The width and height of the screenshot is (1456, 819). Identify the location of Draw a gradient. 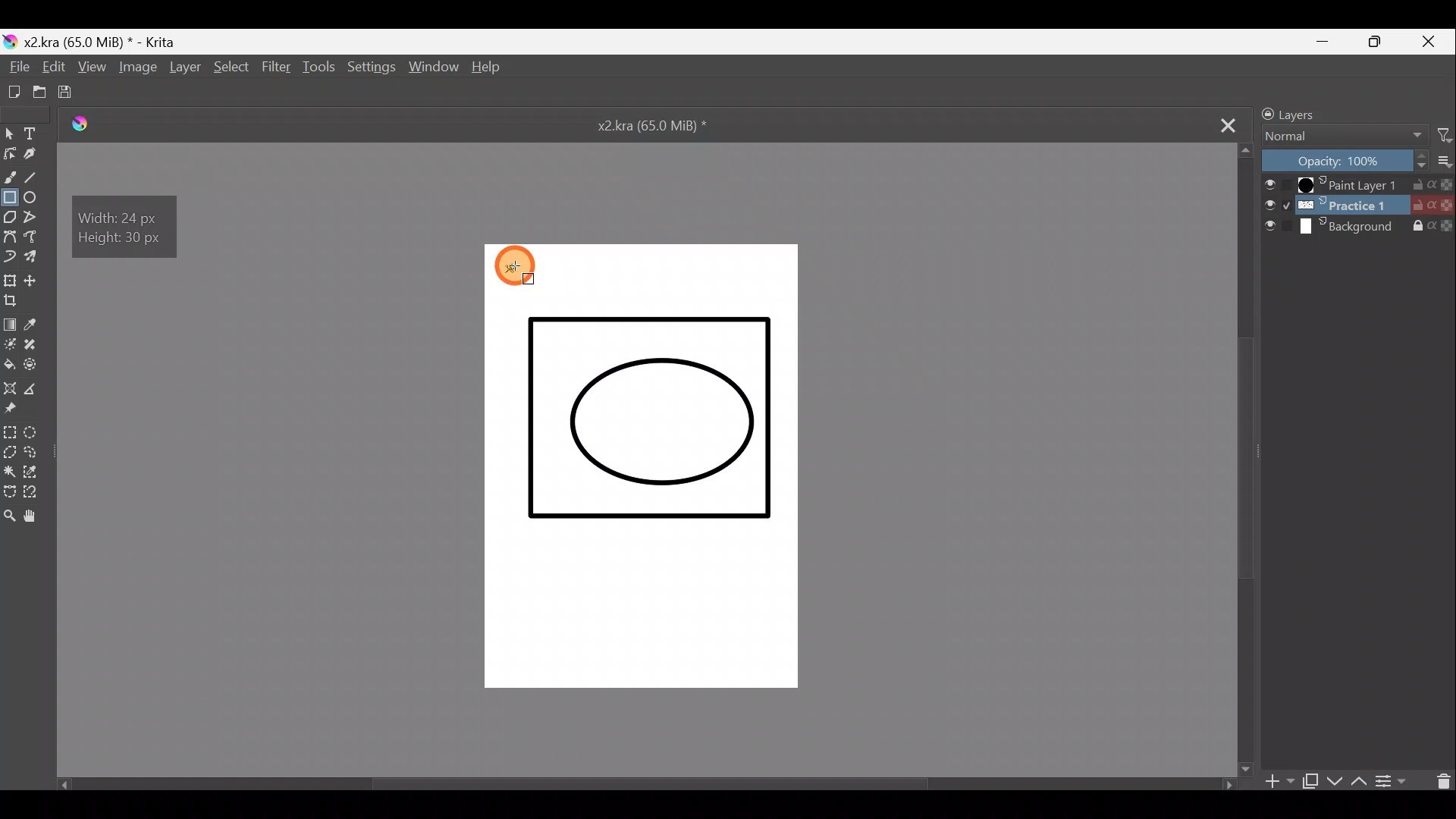
(10, 322).